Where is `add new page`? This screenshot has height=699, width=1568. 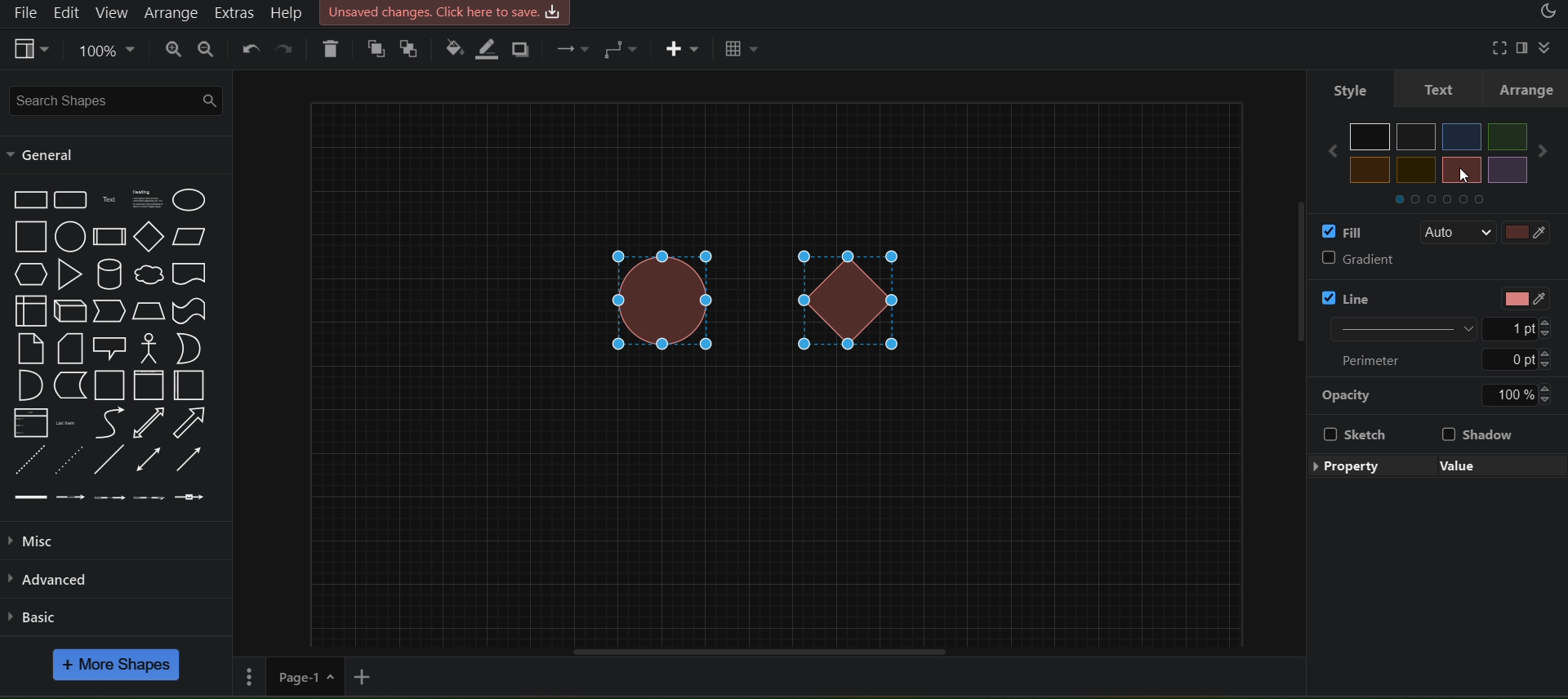
add new page is located at coordinates (367, 679).